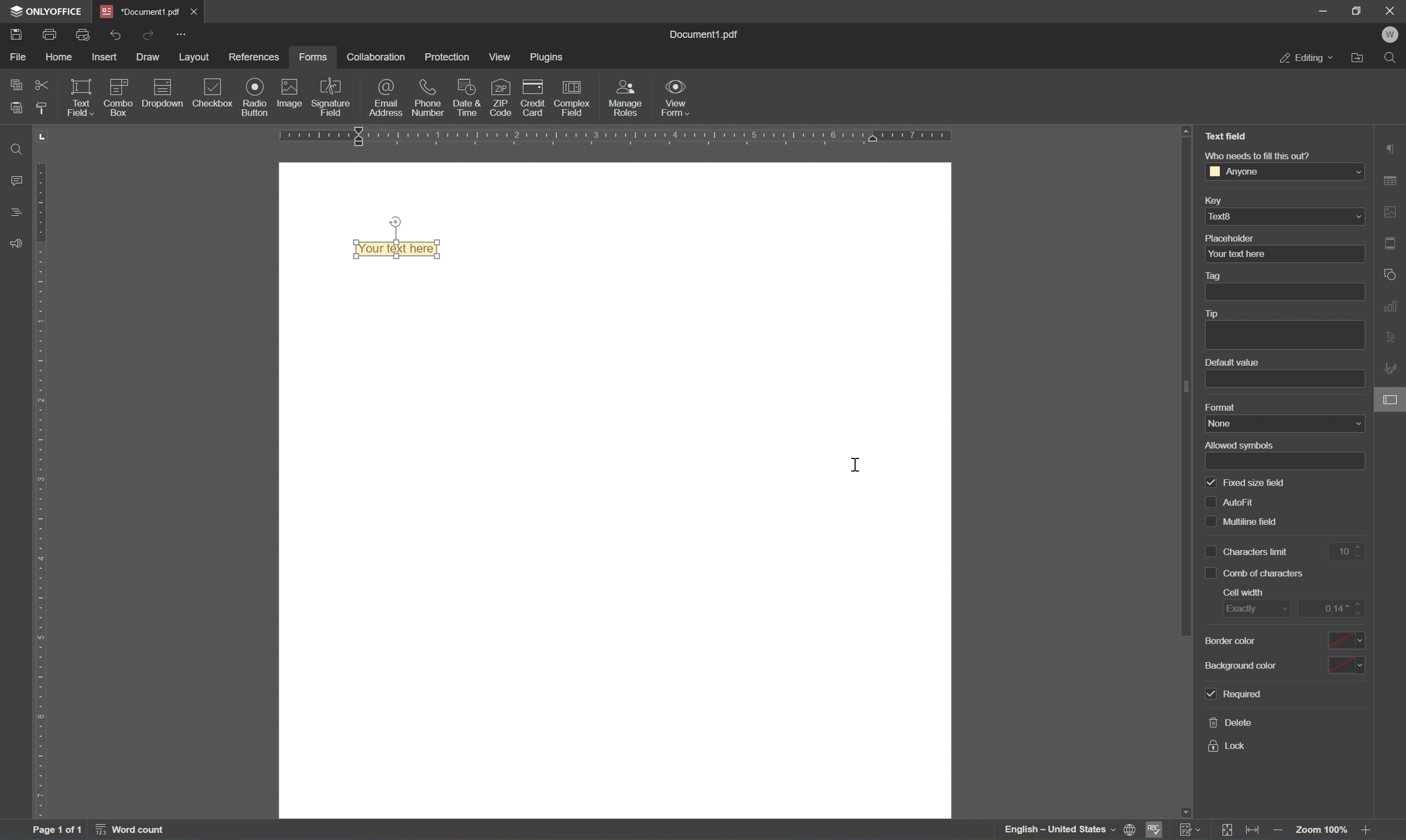 The height and width of the screenshot is (840, 1406). What do you see at coordinates (1216, 314) in the screenshot?
I see `tip` at bounding box center [1216, 314].